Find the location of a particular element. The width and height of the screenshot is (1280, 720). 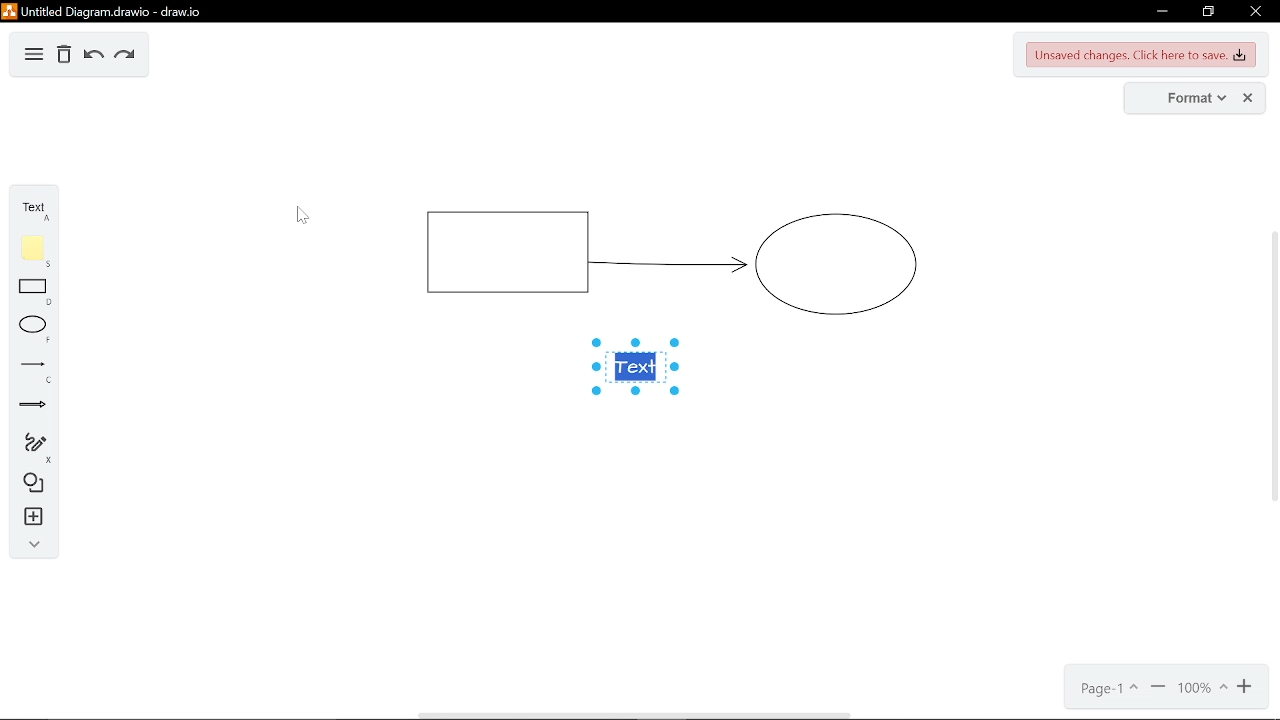

current diagram is located at coordinates (668, 255).